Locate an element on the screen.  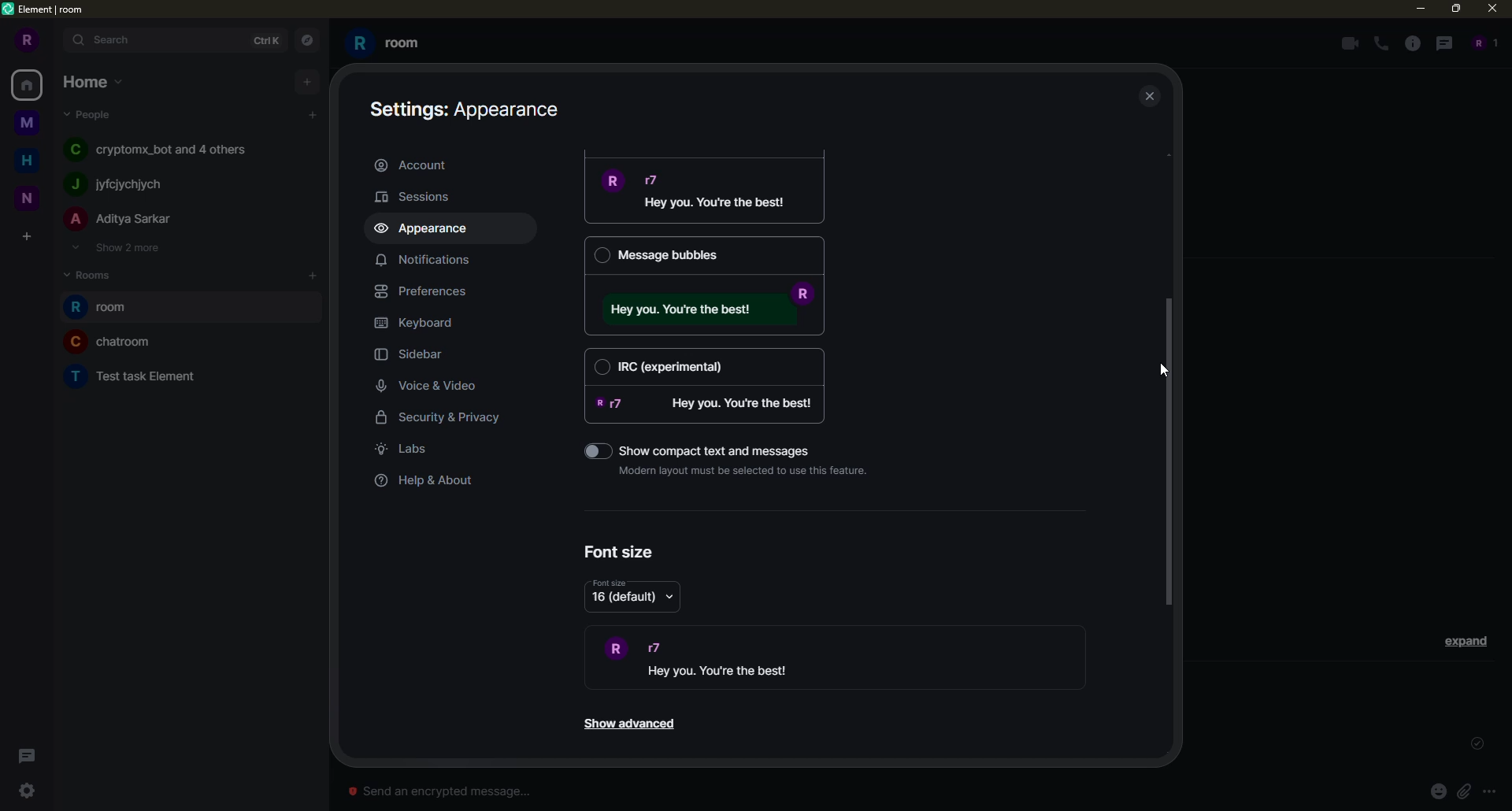
notifications is located at coordinates (422, 259).